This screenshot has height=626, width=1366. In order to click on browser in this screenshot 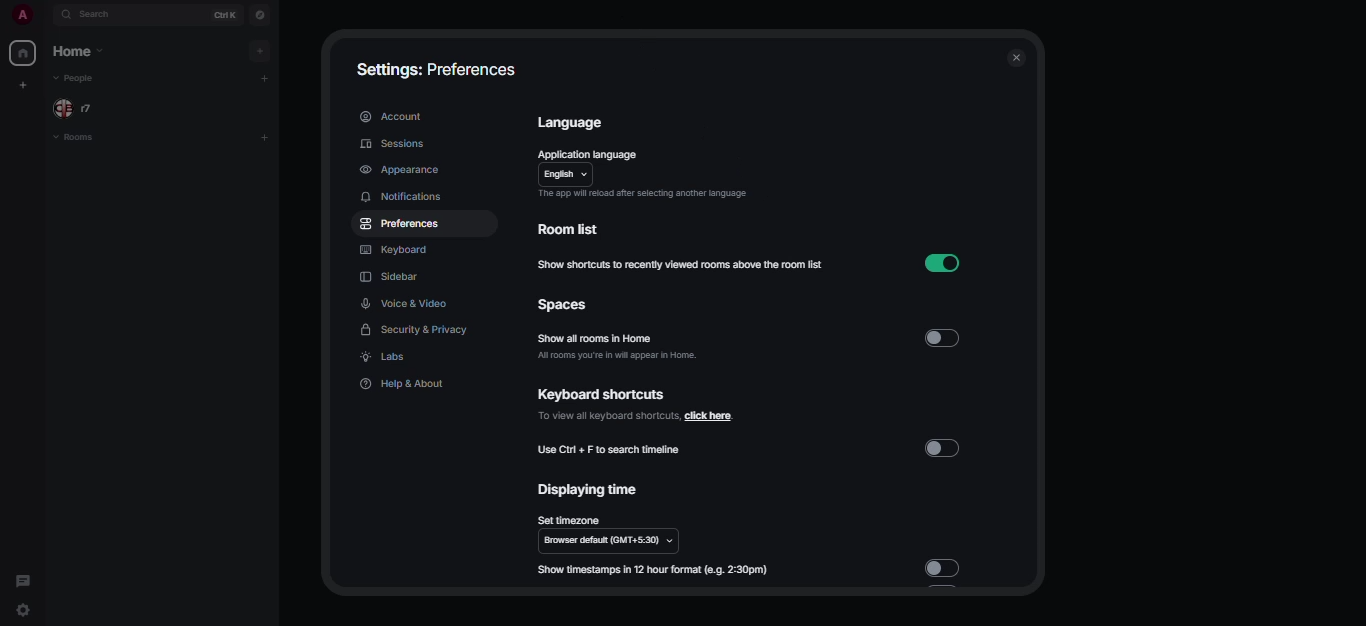, I will do `click(610, 541)`.